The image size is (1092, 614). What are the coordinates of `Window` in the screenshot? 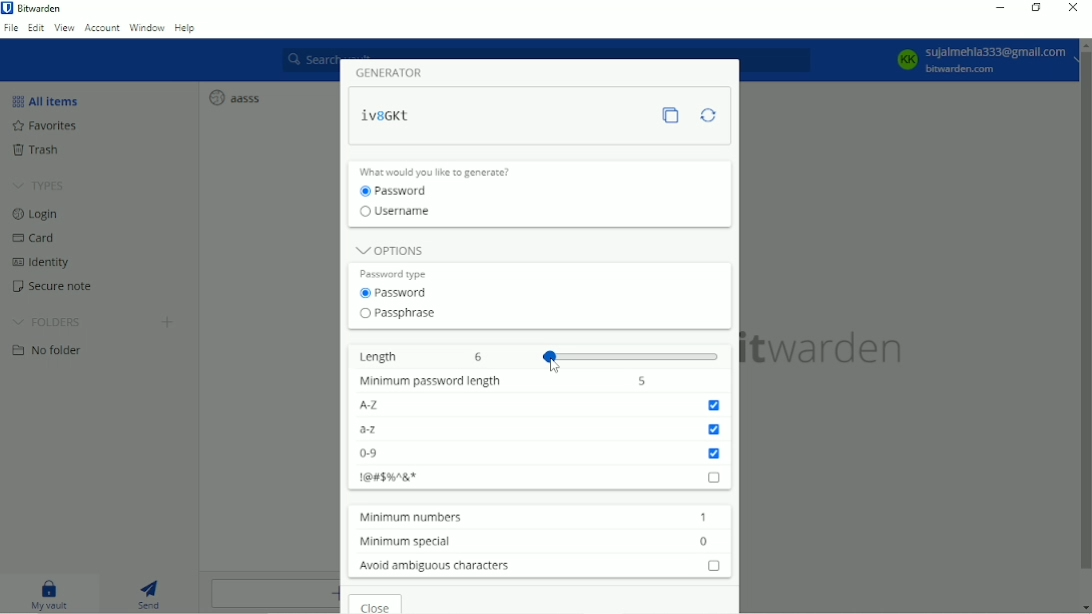 It's located at (147, 28).